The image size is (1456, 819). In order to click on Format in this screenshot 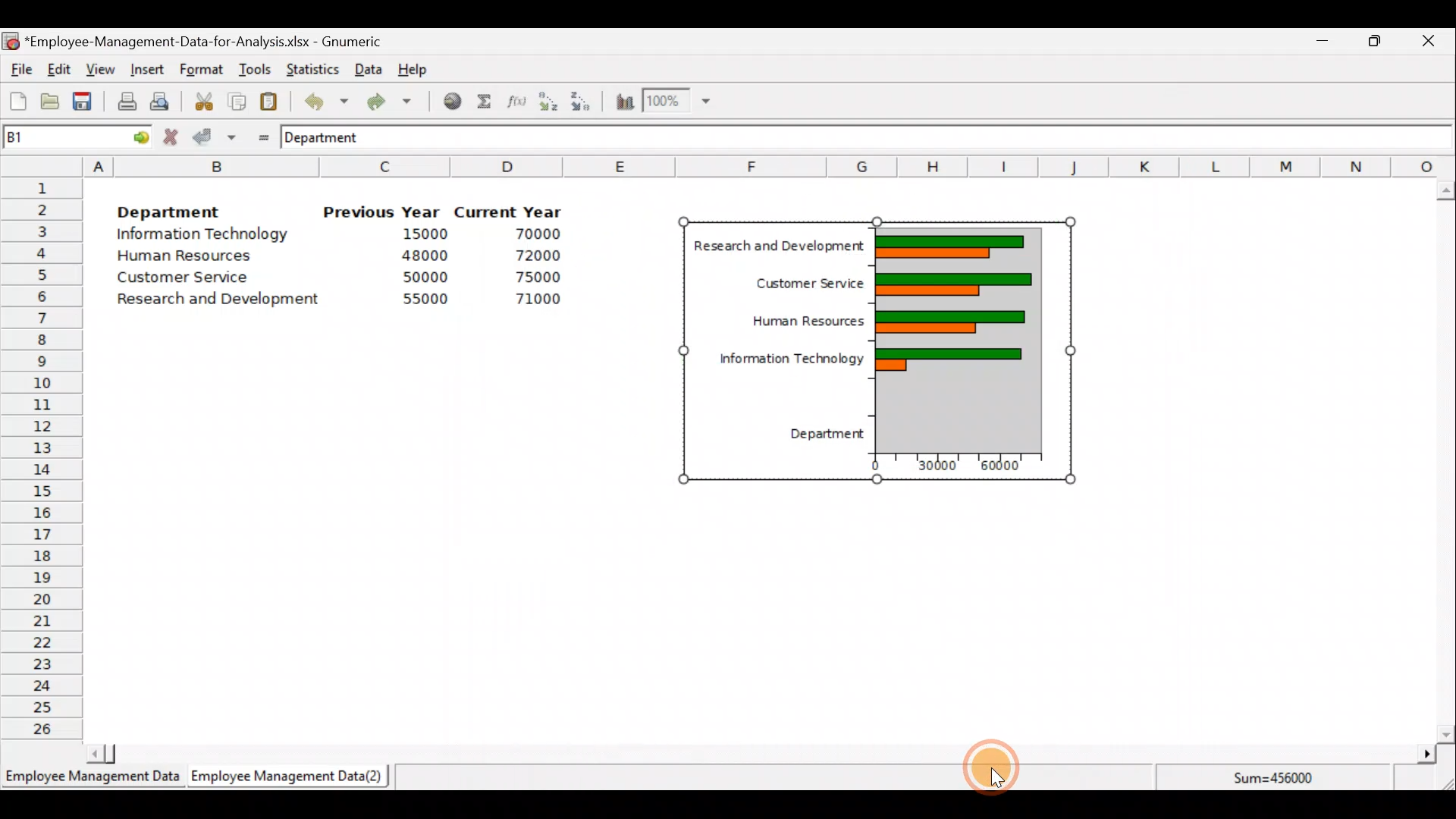, I will do `click(201, 71)`.